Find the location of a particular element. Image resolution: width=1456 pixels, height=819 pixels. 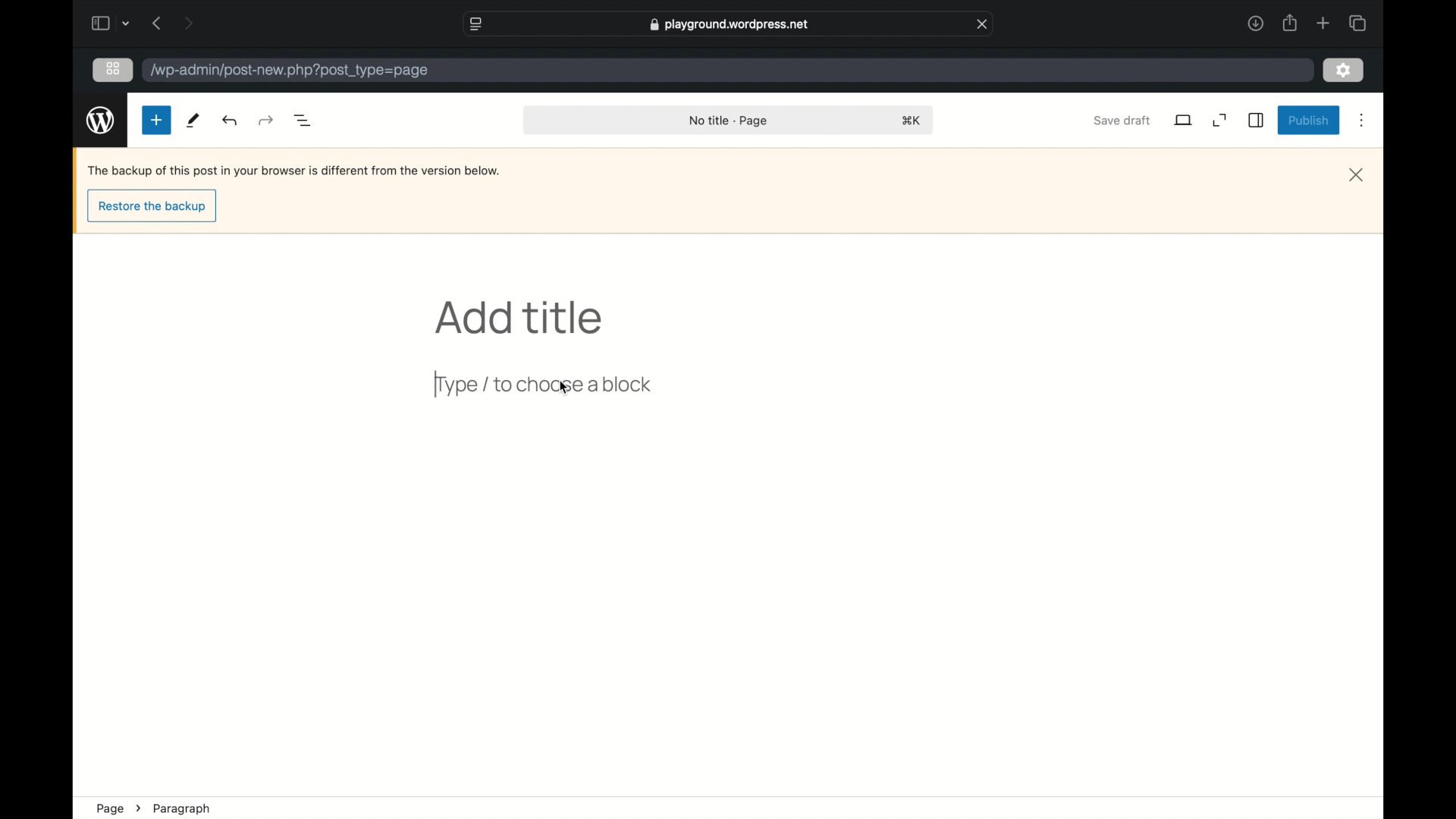

web address is located at coordinates (729, 25).